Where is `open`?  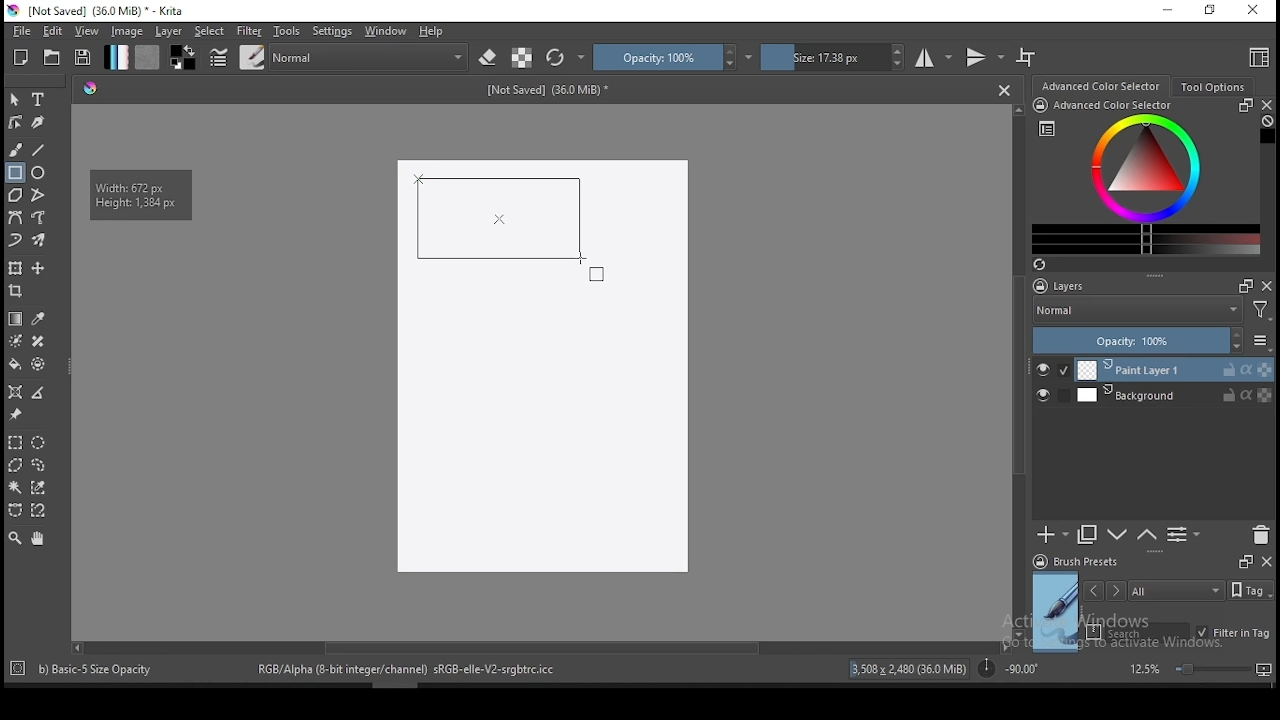
open is located at coordinates (52, 57).